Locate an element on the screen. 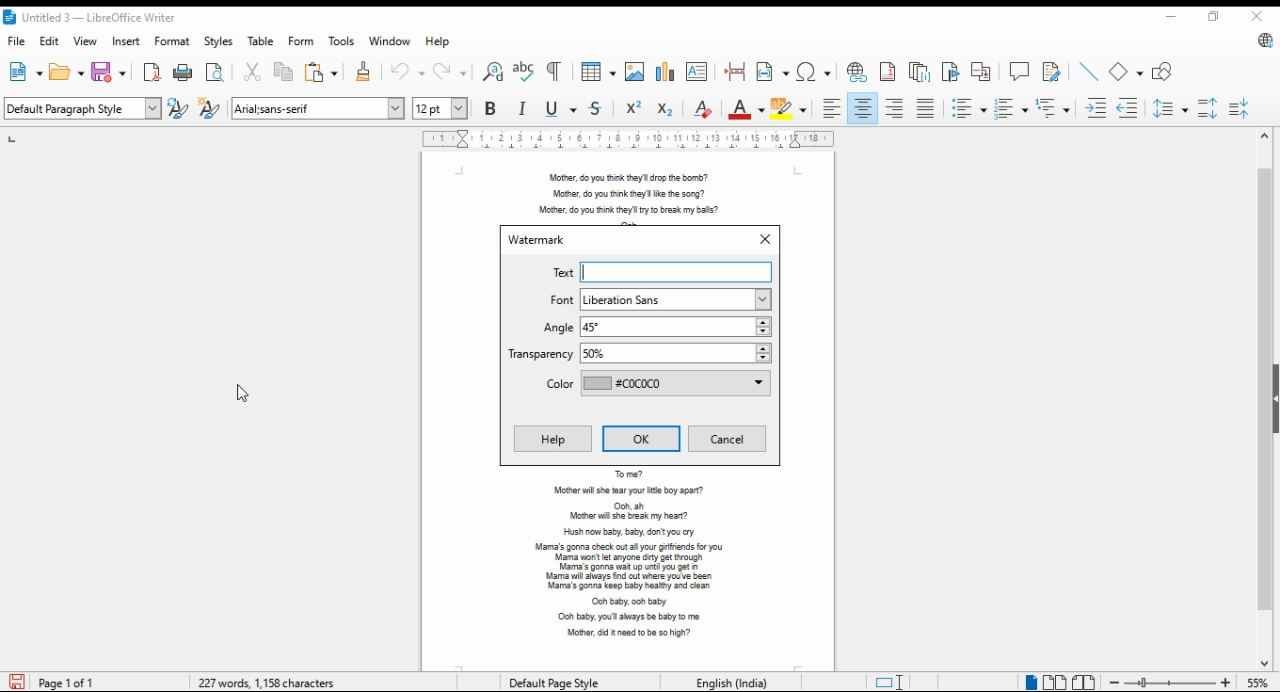  angle is located at coordinates (655, 327).